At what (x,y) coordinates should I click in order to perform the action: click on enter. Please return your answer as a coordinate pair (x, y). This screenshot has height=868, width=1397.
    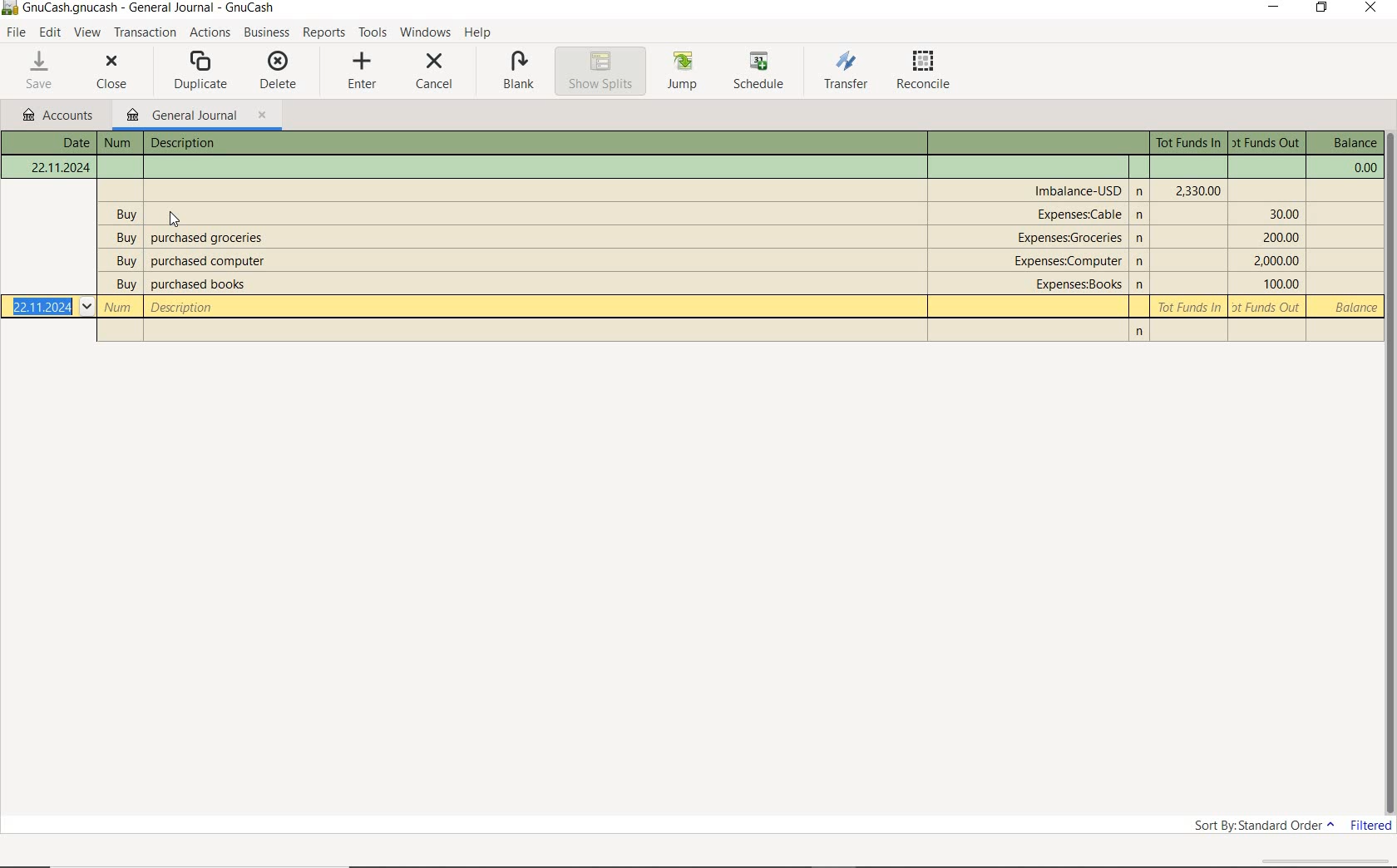
    Looking at the image, I should click on (359, 72).